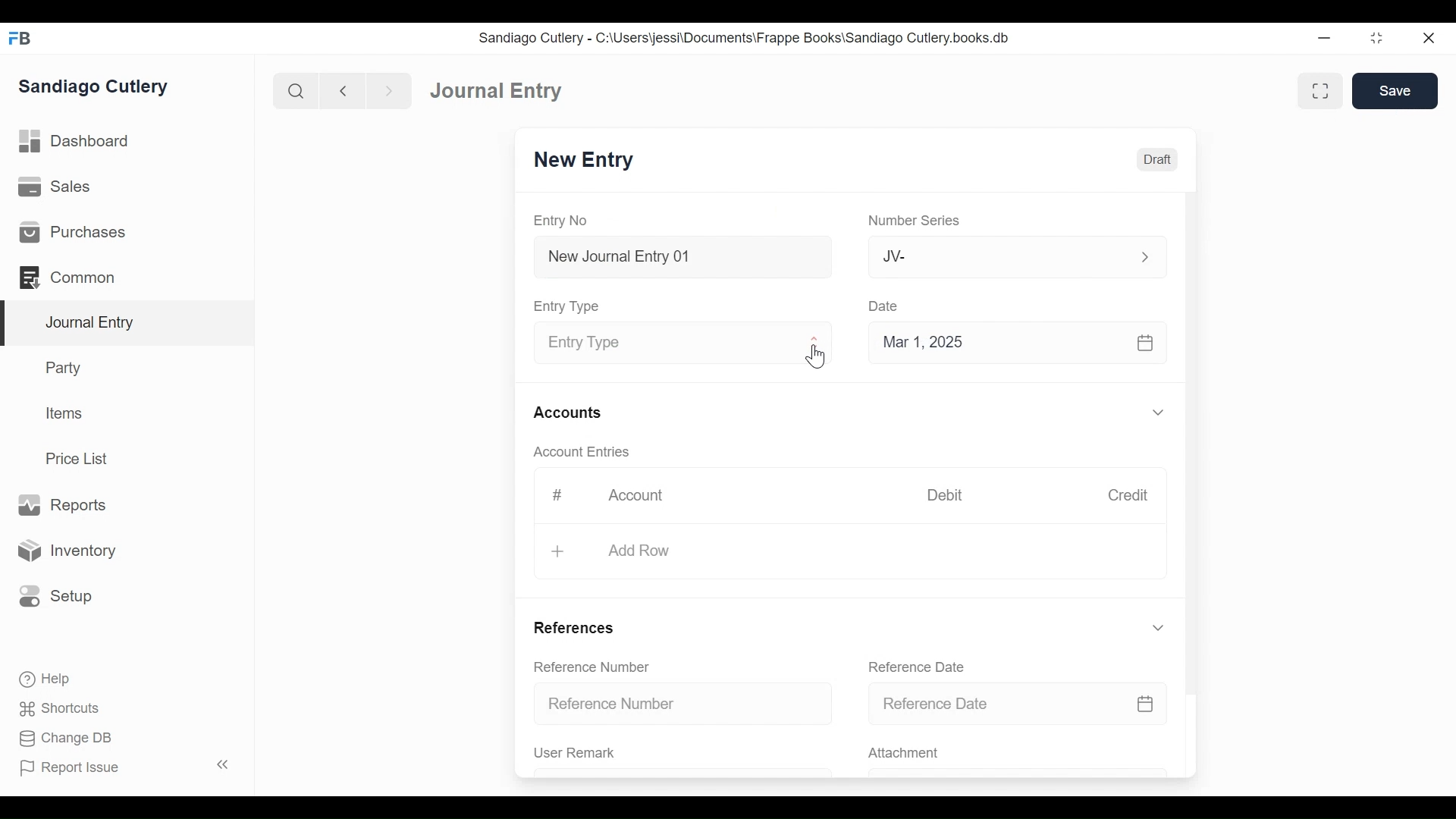  Describe the element at coordinates (127, 231) in the screenshot. I see `Purchases` at that location.